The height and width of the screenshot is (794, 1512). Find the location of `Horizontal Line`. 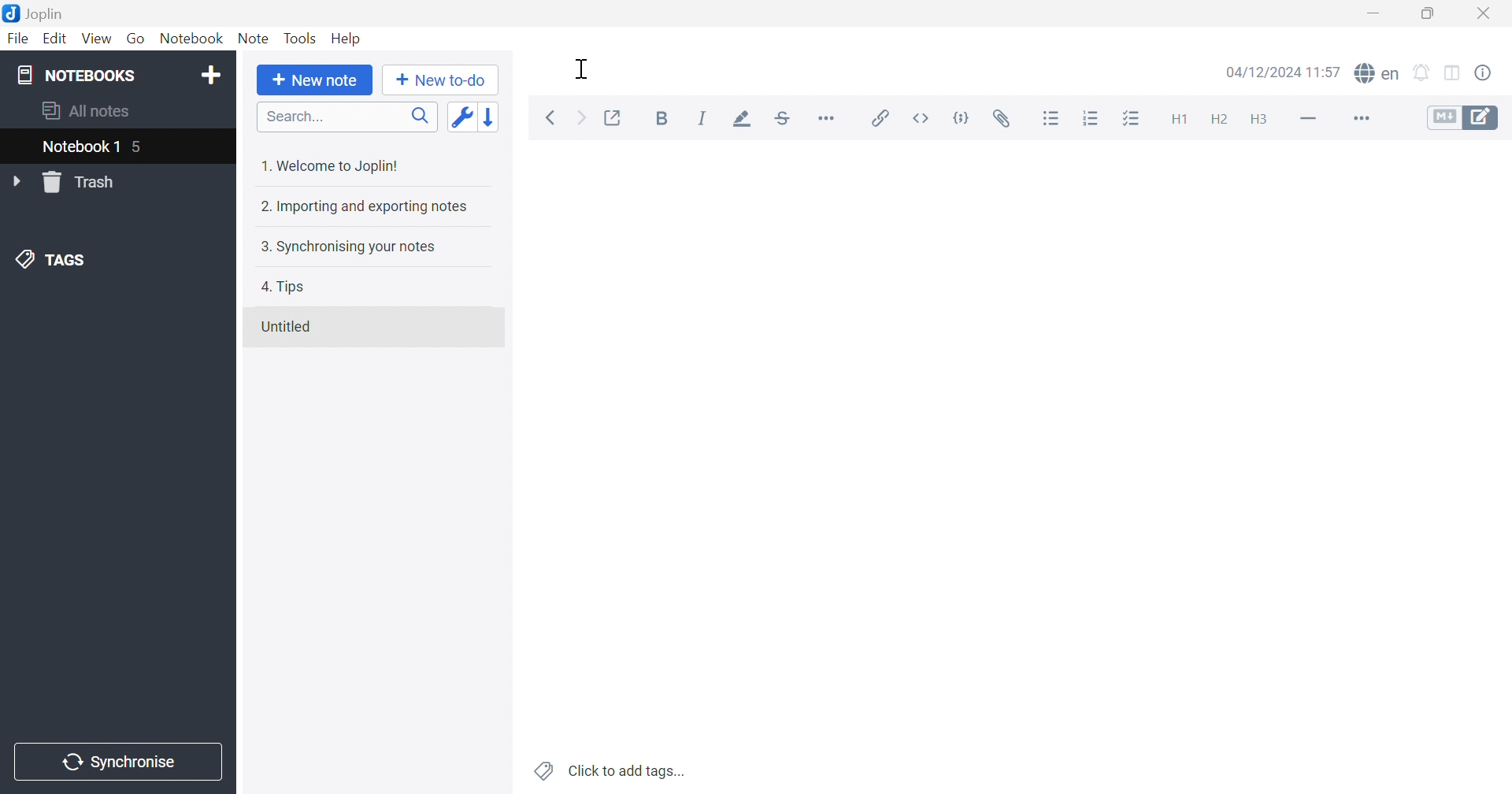

Horizontal Line is located at coordinates (1307, 120).